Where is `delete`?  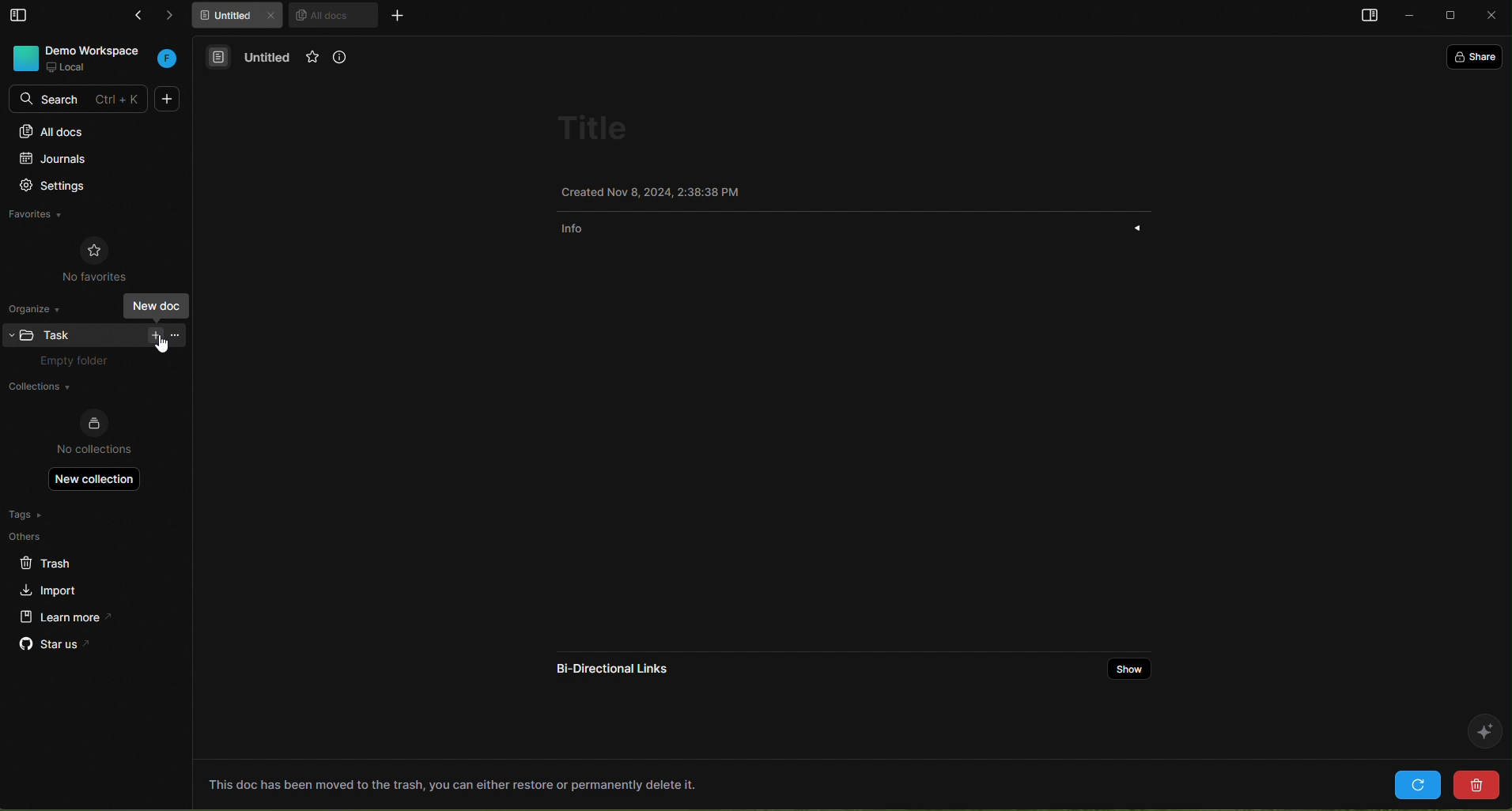
delete is located at coordinates (1474, 784).